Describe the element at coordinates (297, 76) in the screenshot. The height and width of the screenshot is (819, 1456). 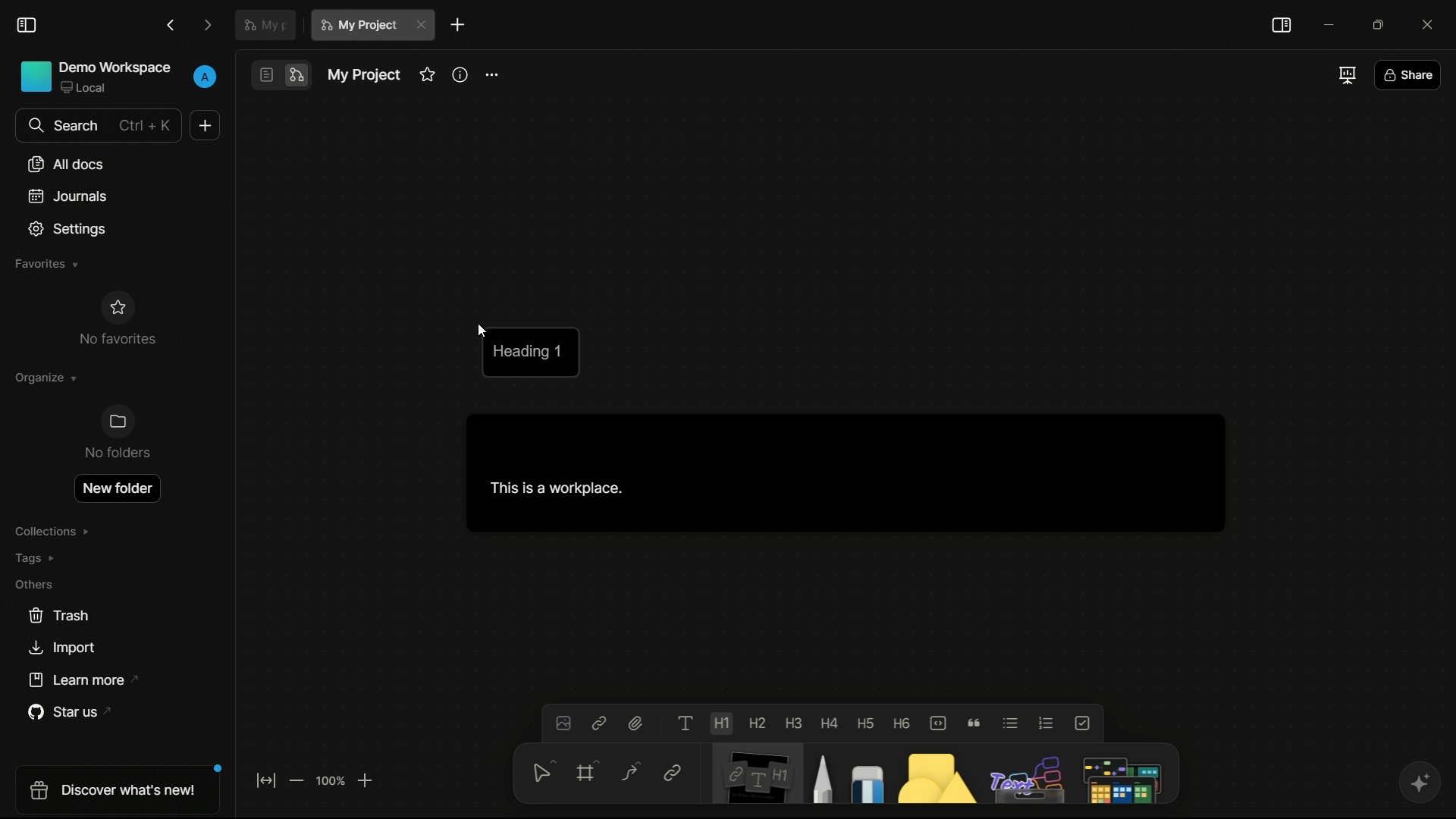
I see `edgeless mode` at that location.